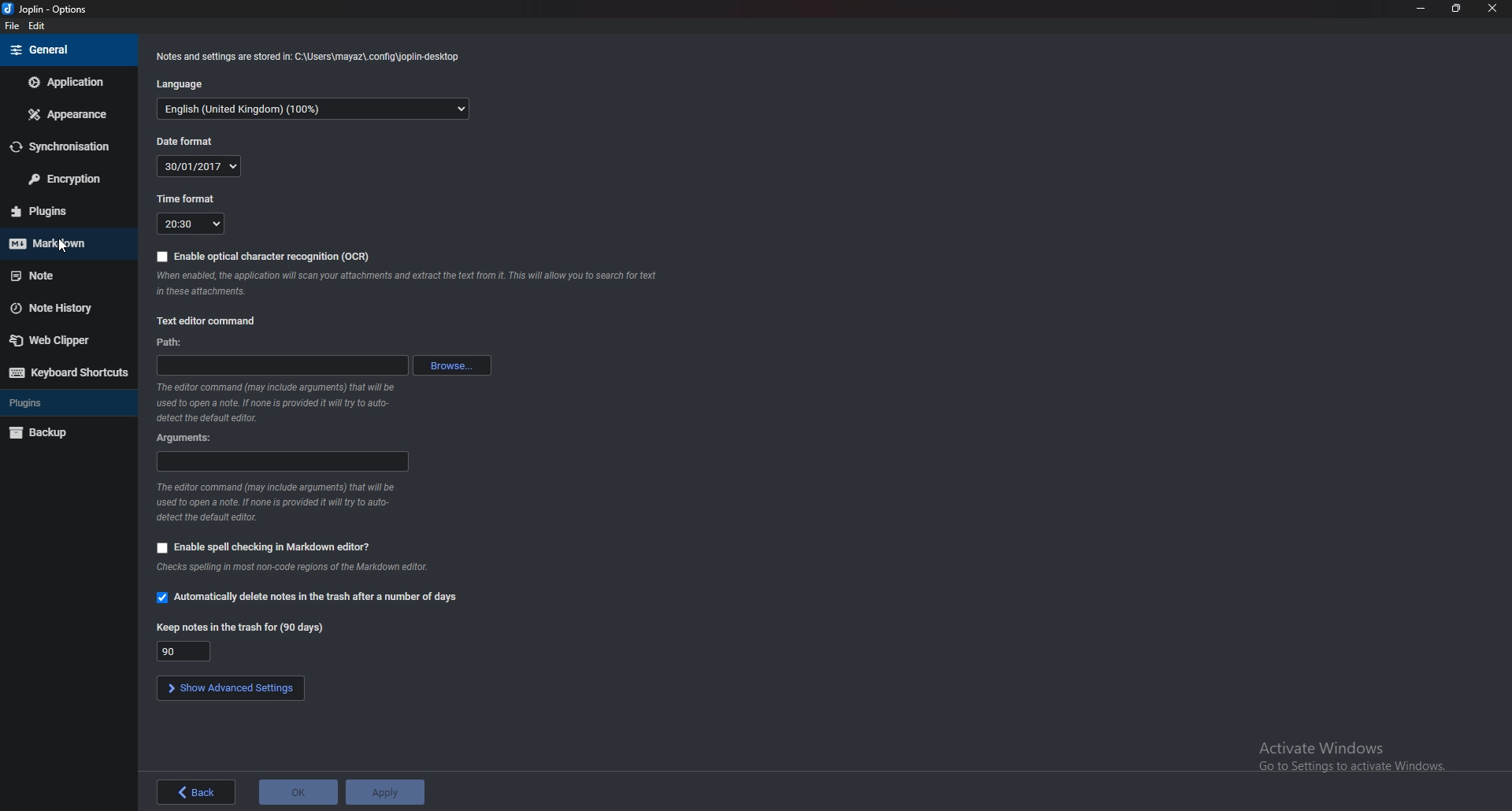 This screenshot has width=1512, height=811. Describe the element at coordinates (68, 81) in the screenshot. I see `Application` at that location.